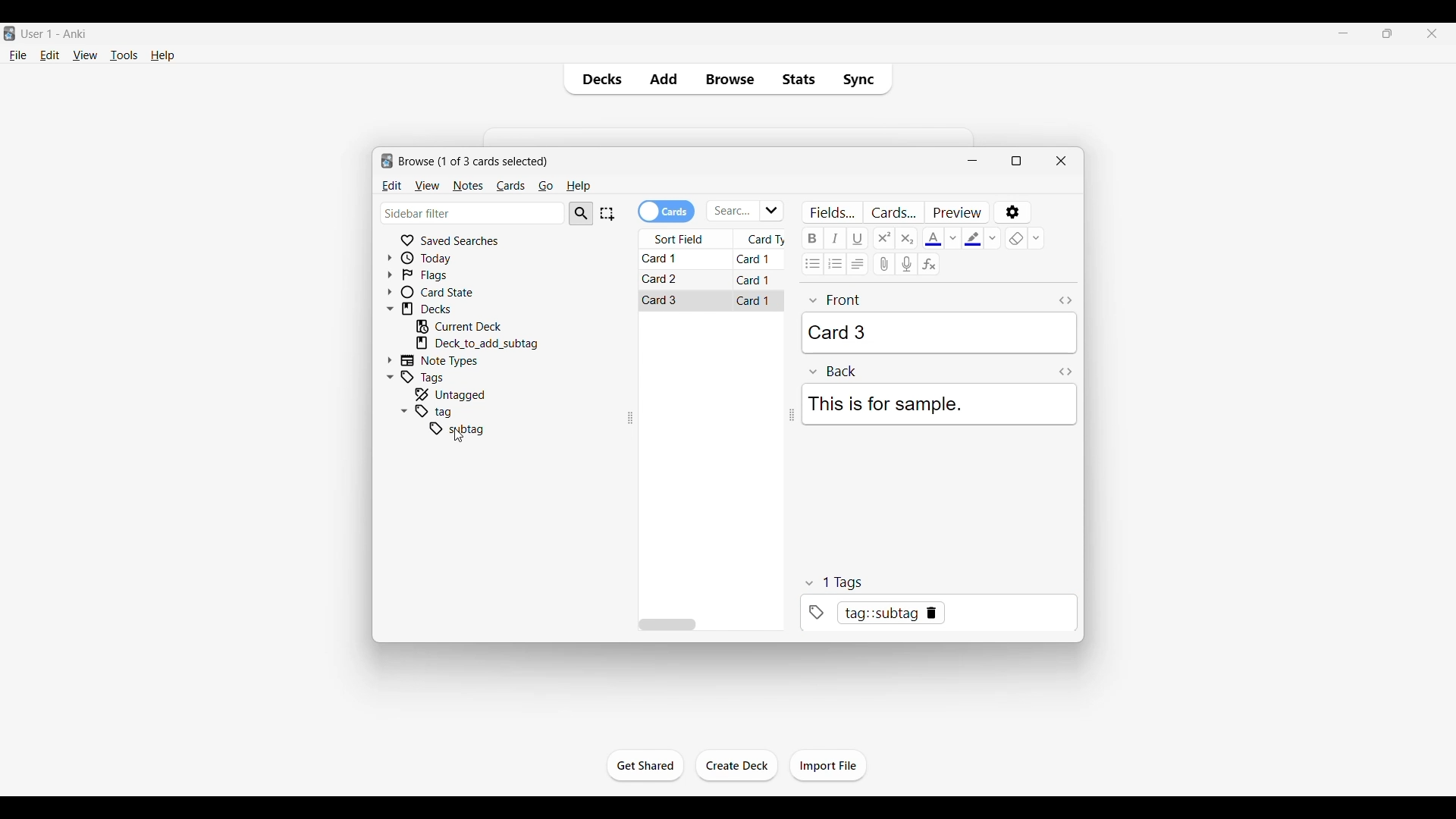 This screenshot has height=819, width=1456. Describe the element at coordinates (763, 237) in the screenshot. I see `Card type column` at that location.